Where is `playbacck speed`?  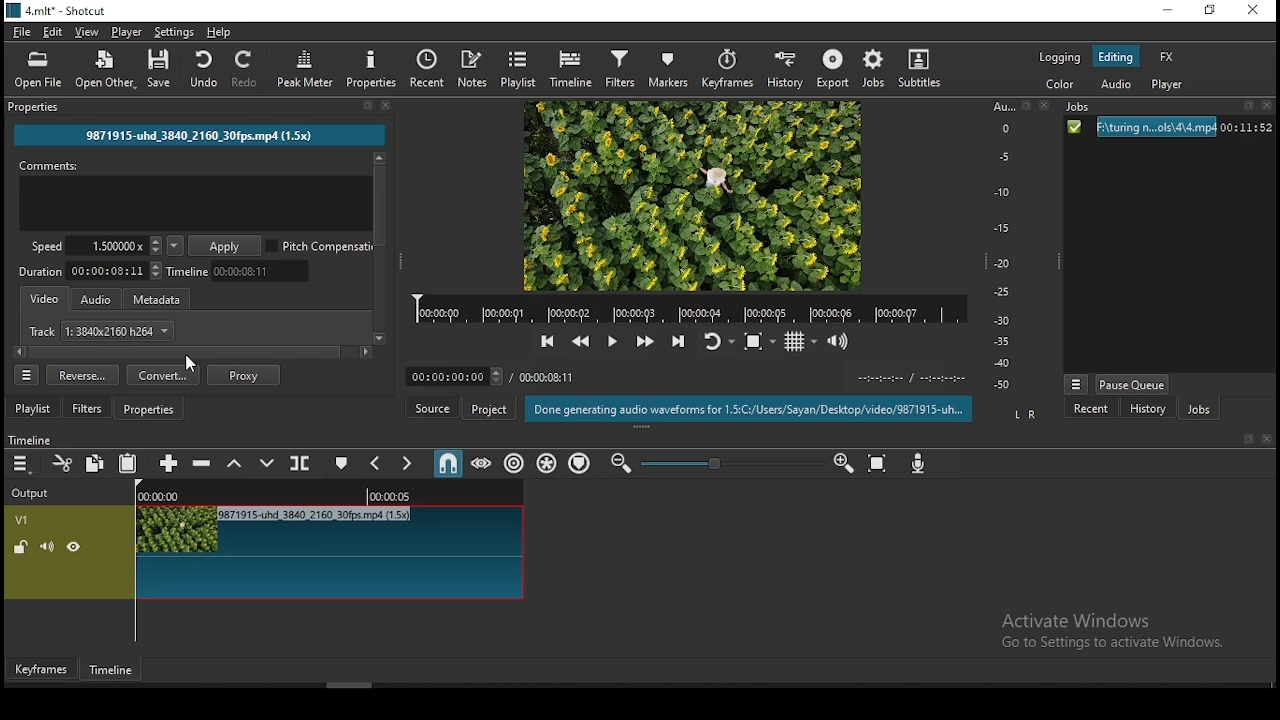
playbacck speed is located at coordinates (96, 246).